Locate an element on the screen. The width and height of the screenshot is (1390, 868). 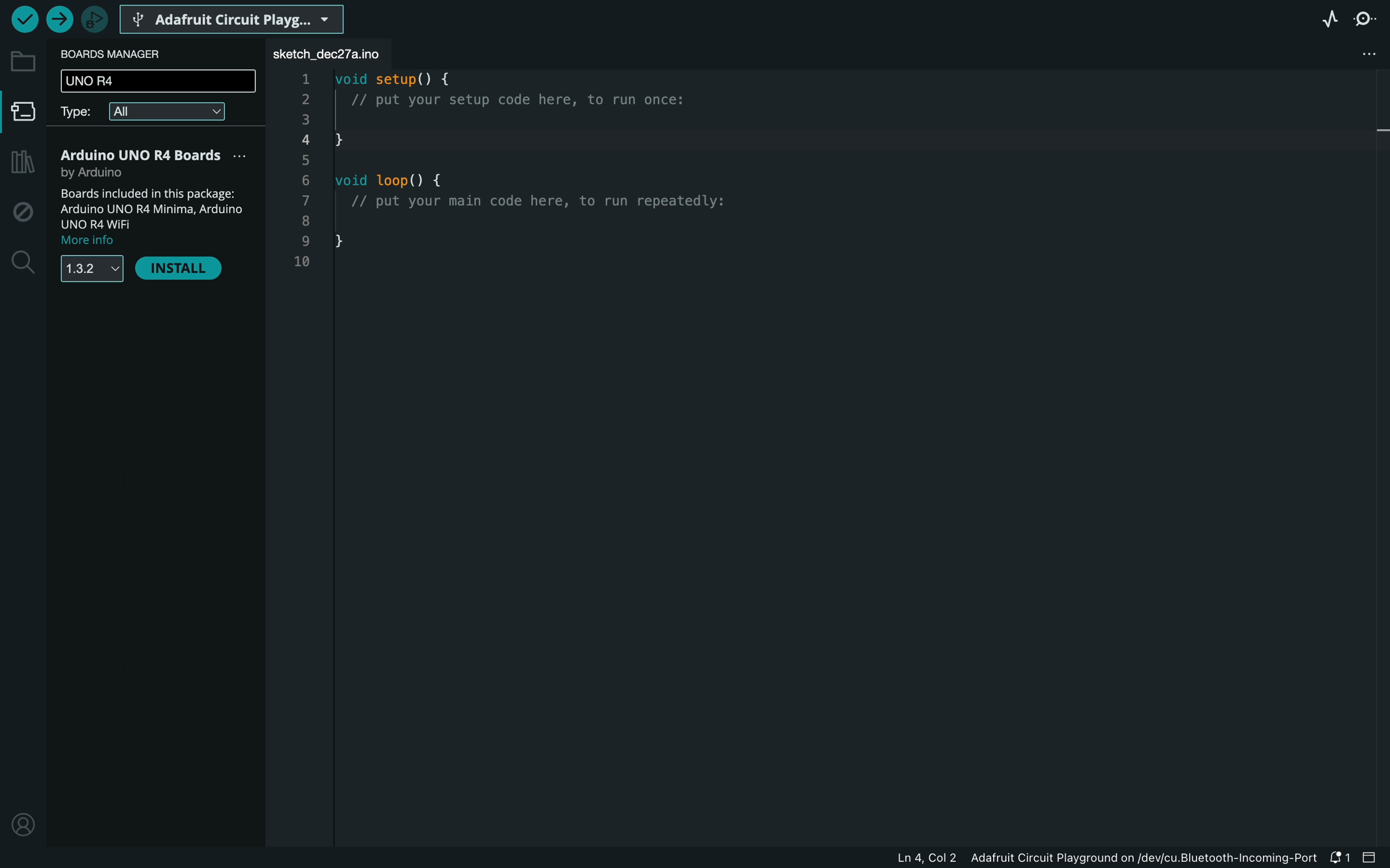
file setting is located at coordinates (1358, 54).